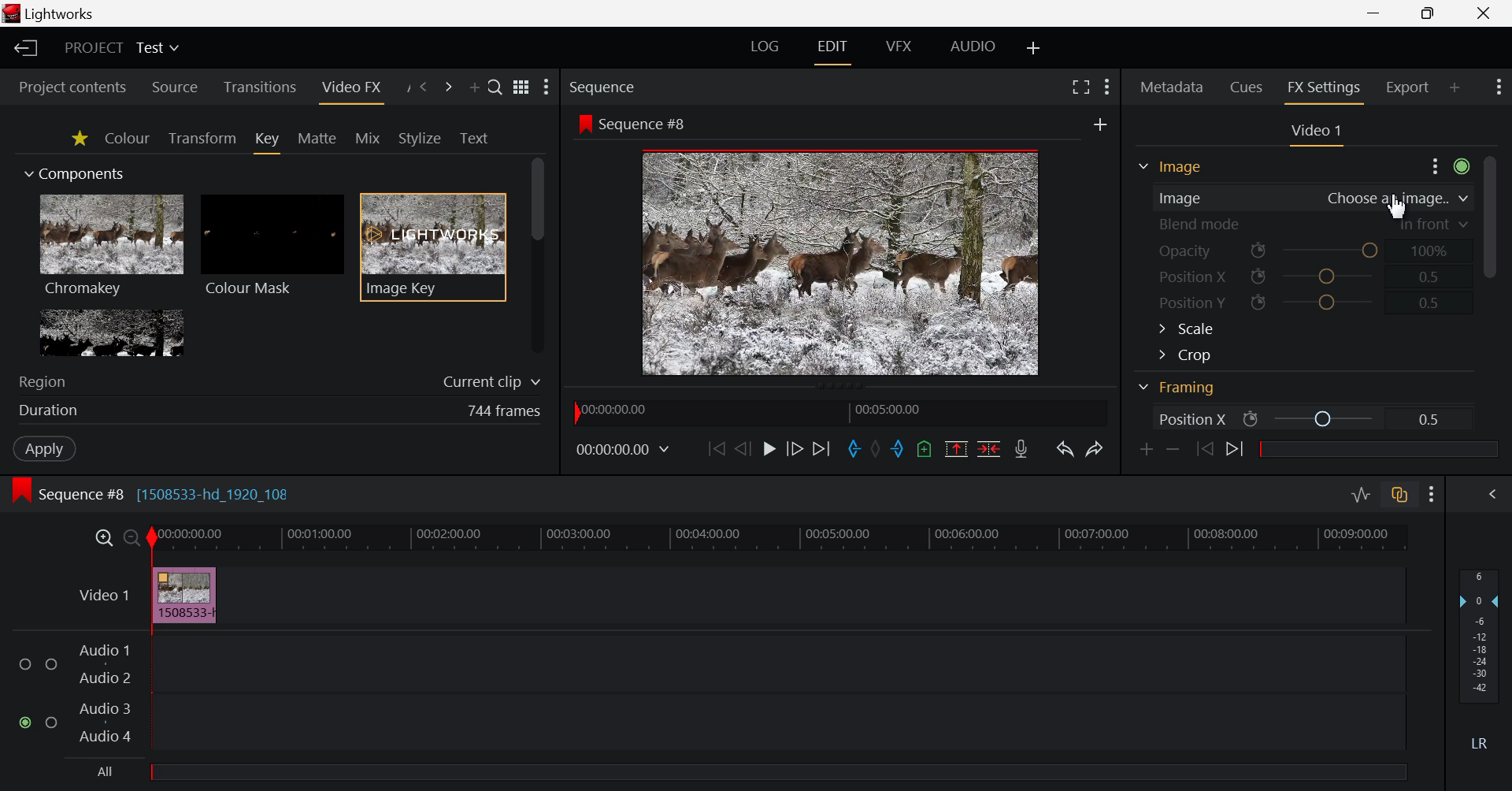  Describe the element at coordinates (128, 139) in the screenshot. I see `Colour` at that location.